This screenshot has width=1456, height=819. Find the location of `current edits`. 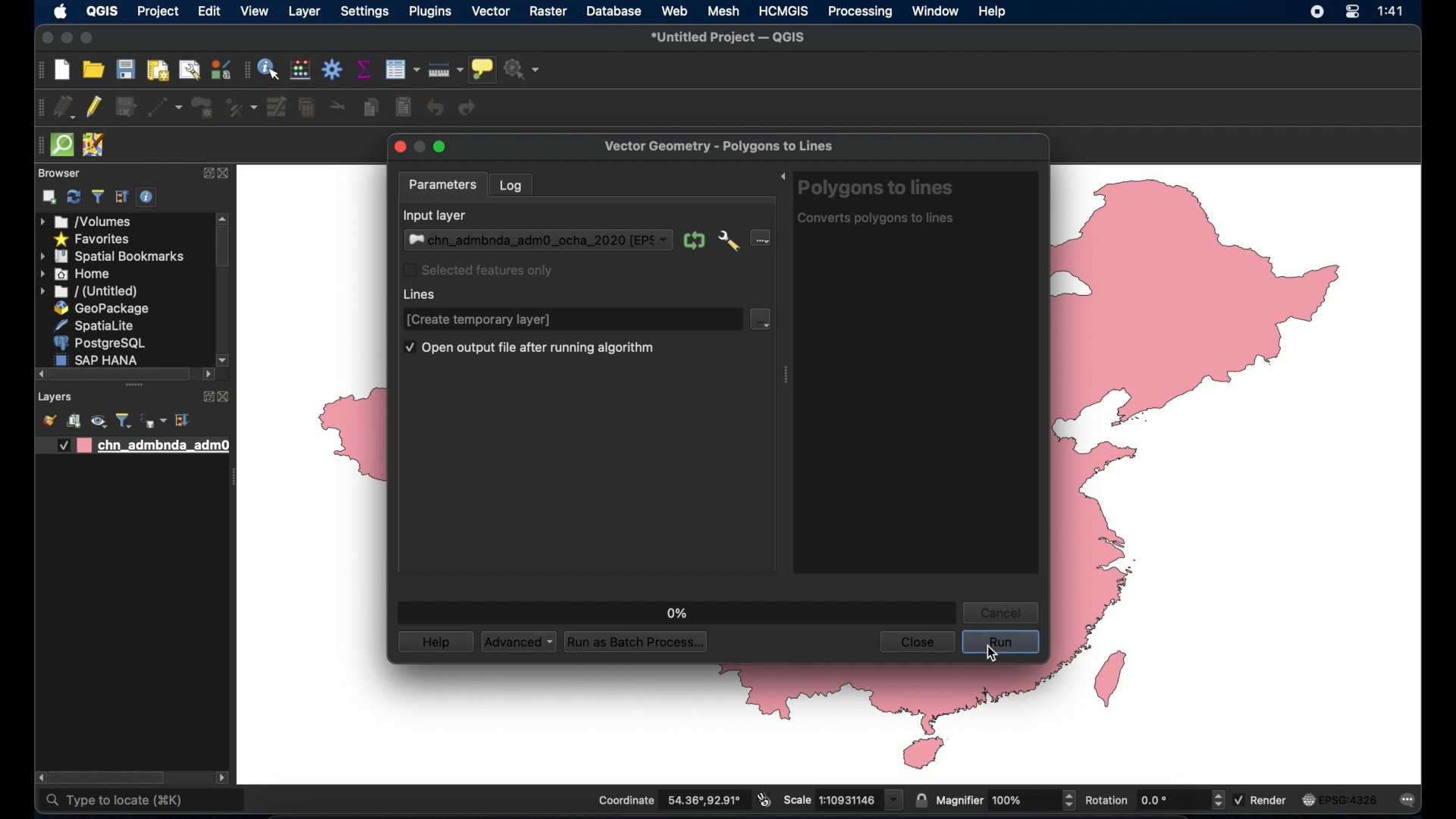

current edits is located at coordinates (65, 107).